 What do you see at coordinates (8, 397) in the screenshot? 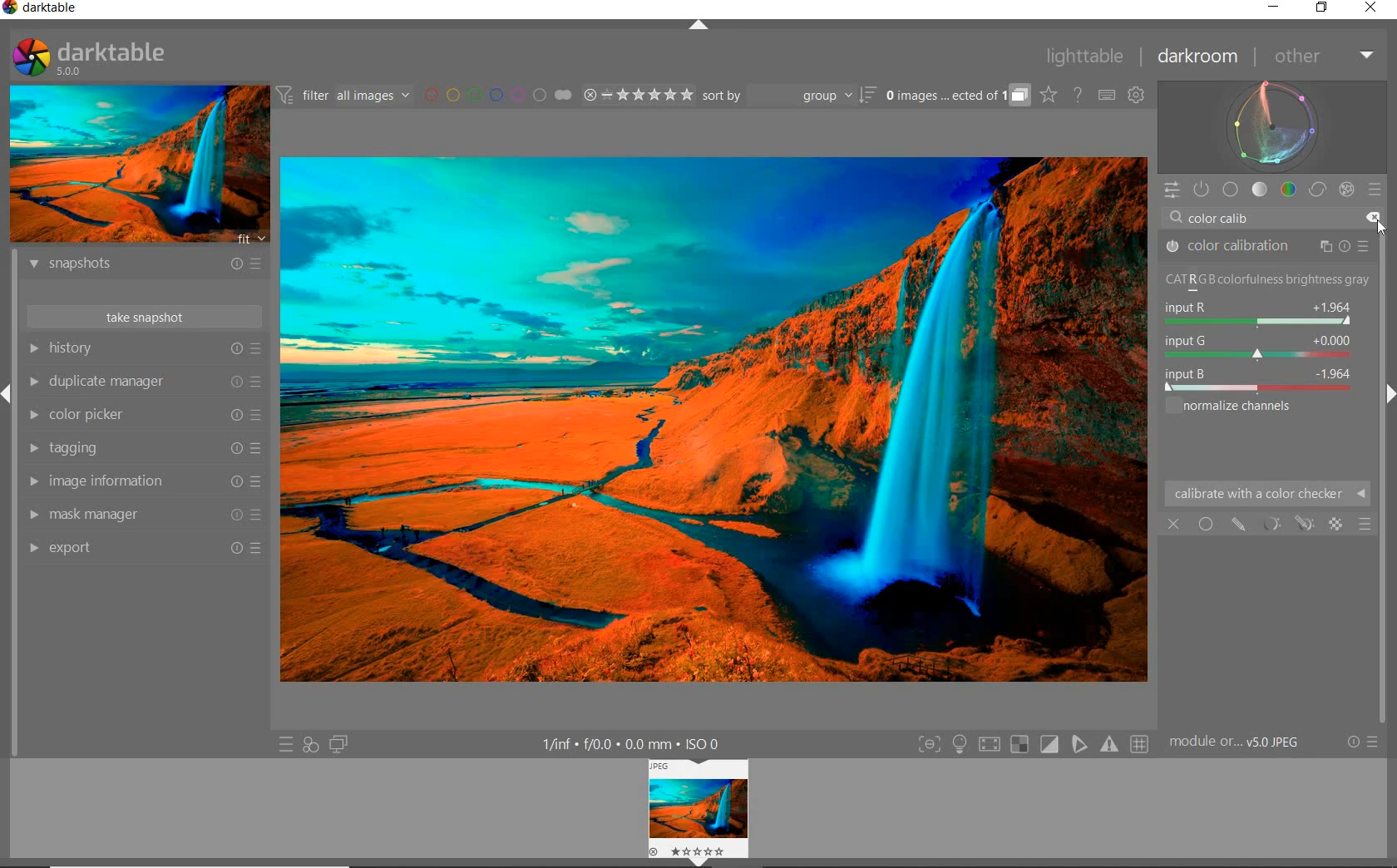
I see `Expand/Collapse` at bounding box center [8, 397].